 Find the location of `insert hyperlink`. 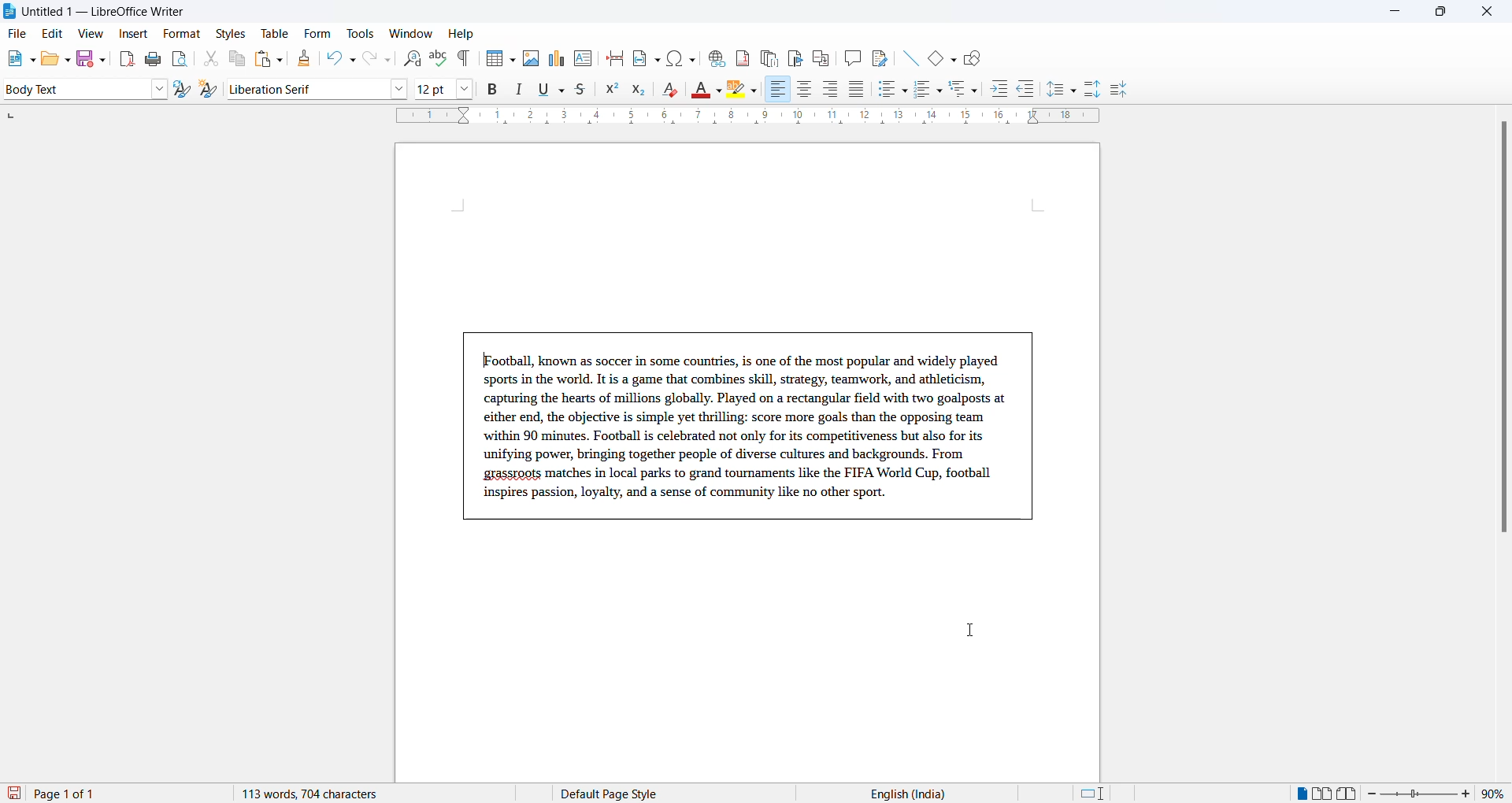

insert hyperlink is located at coordinates (714, 56).